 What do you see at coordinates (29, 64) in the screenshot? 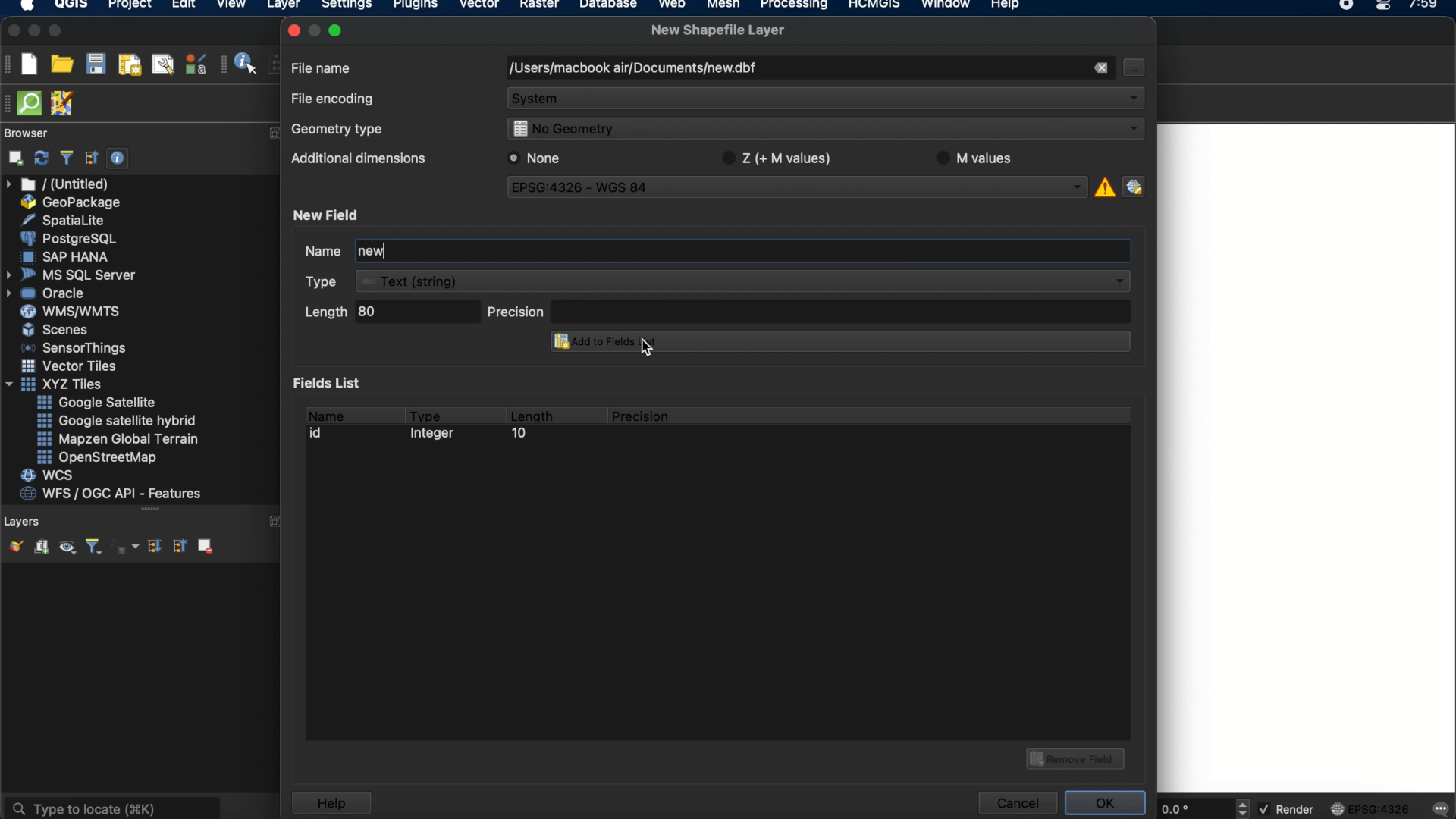
I see `new project` at bounding box center [29, 64].